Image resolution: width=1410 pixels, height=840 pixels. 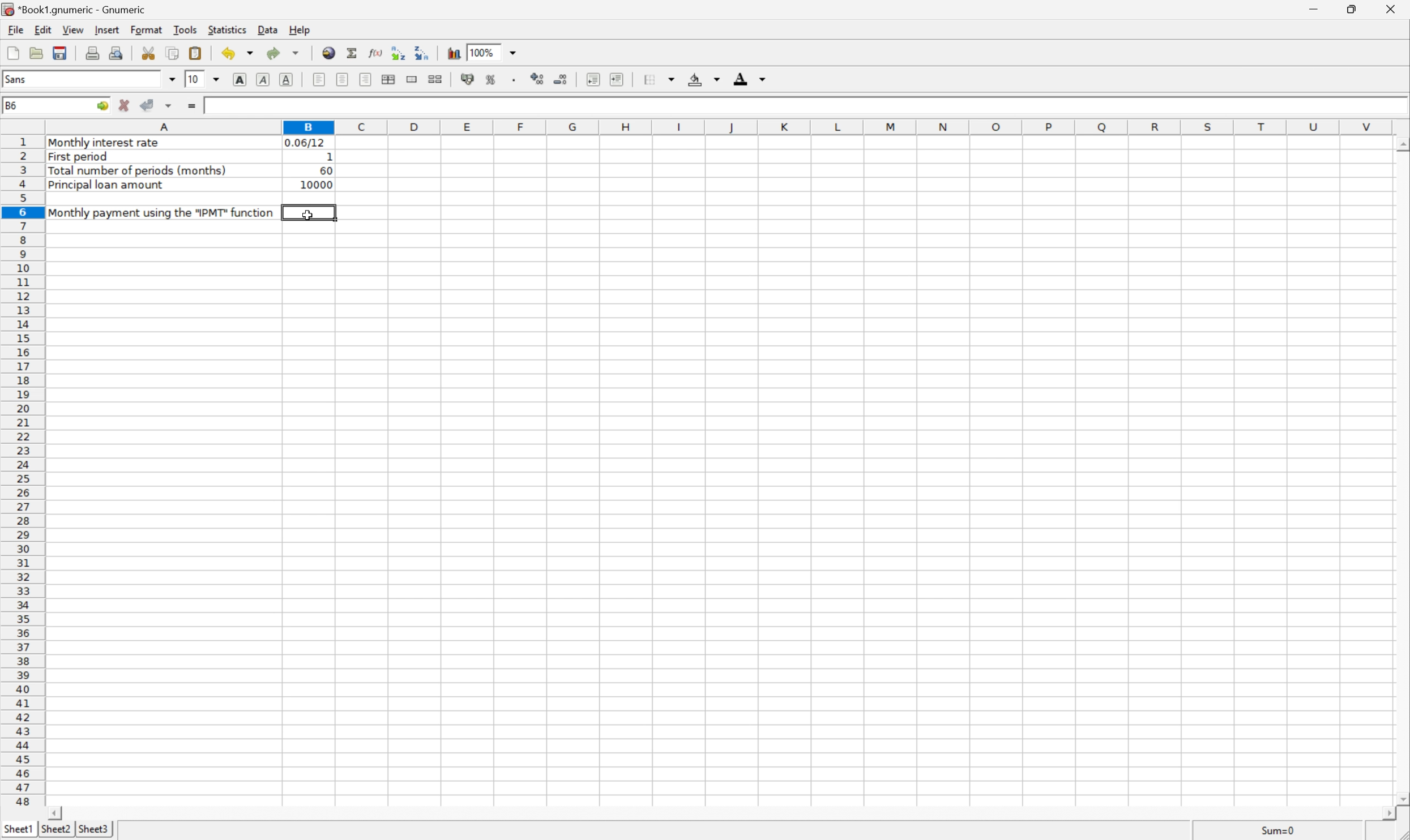 What do you see at coordinates (148, 52) in the screenshot?
I see `Cut selection` at bounding box center [148, 52].